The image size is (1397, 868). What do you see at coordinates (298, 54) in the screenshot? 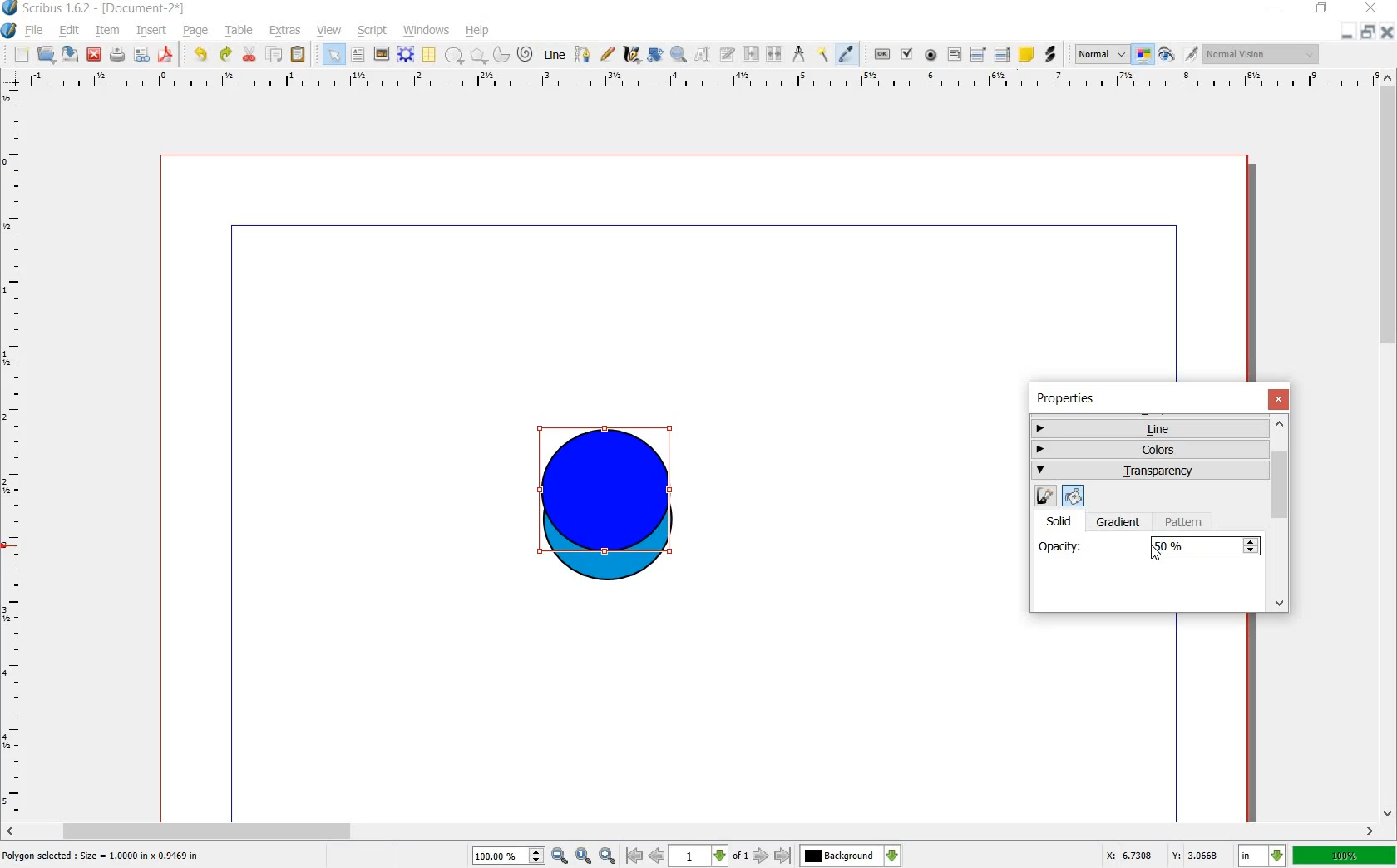
I see `paste` at bounding box center [298, 54].